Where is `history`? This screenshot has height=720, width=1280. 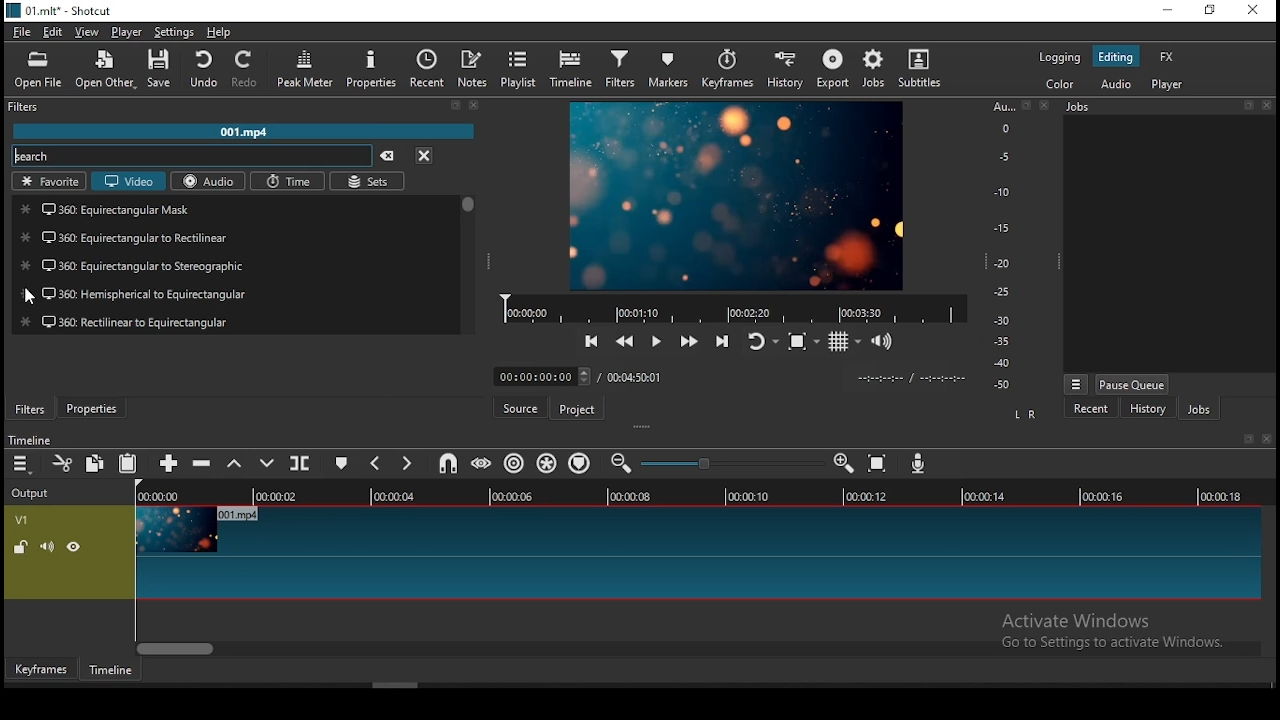 history is located at coordinates (1143, 411).